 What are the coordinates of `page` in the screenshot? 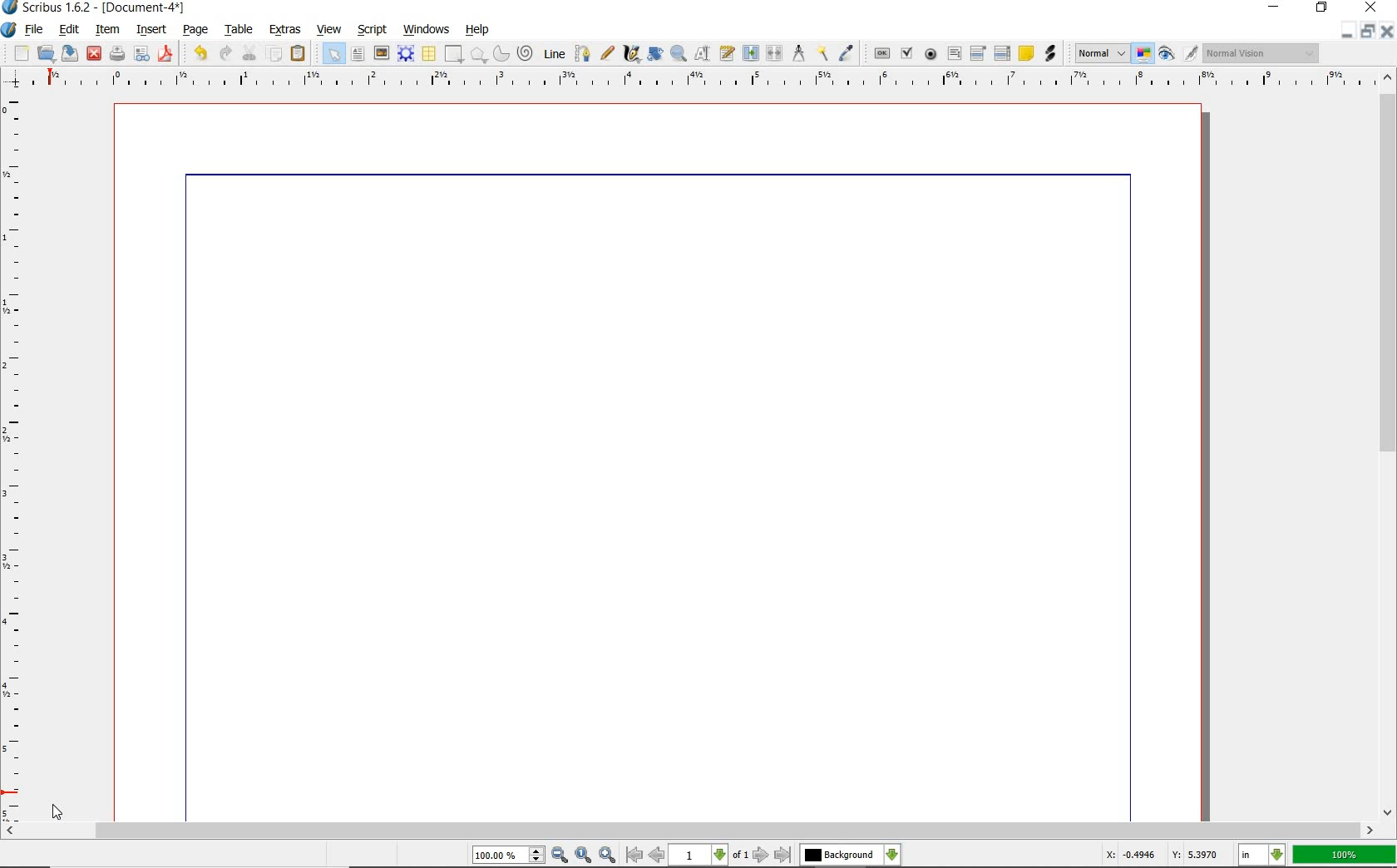 It's located at (196, 28).